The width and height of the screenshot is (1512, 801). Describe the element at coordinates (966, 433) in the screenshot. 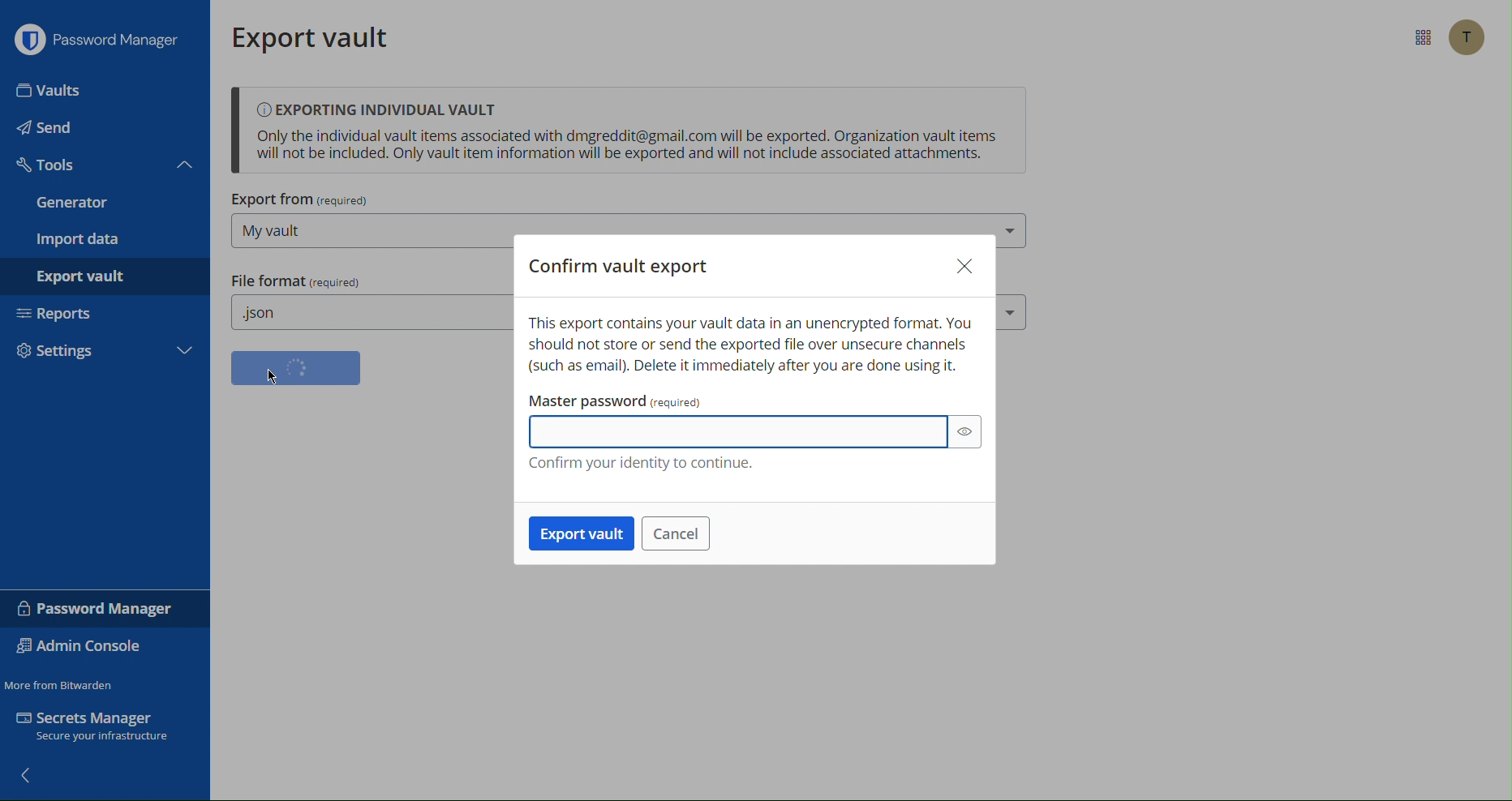

I see `show password` at that location.